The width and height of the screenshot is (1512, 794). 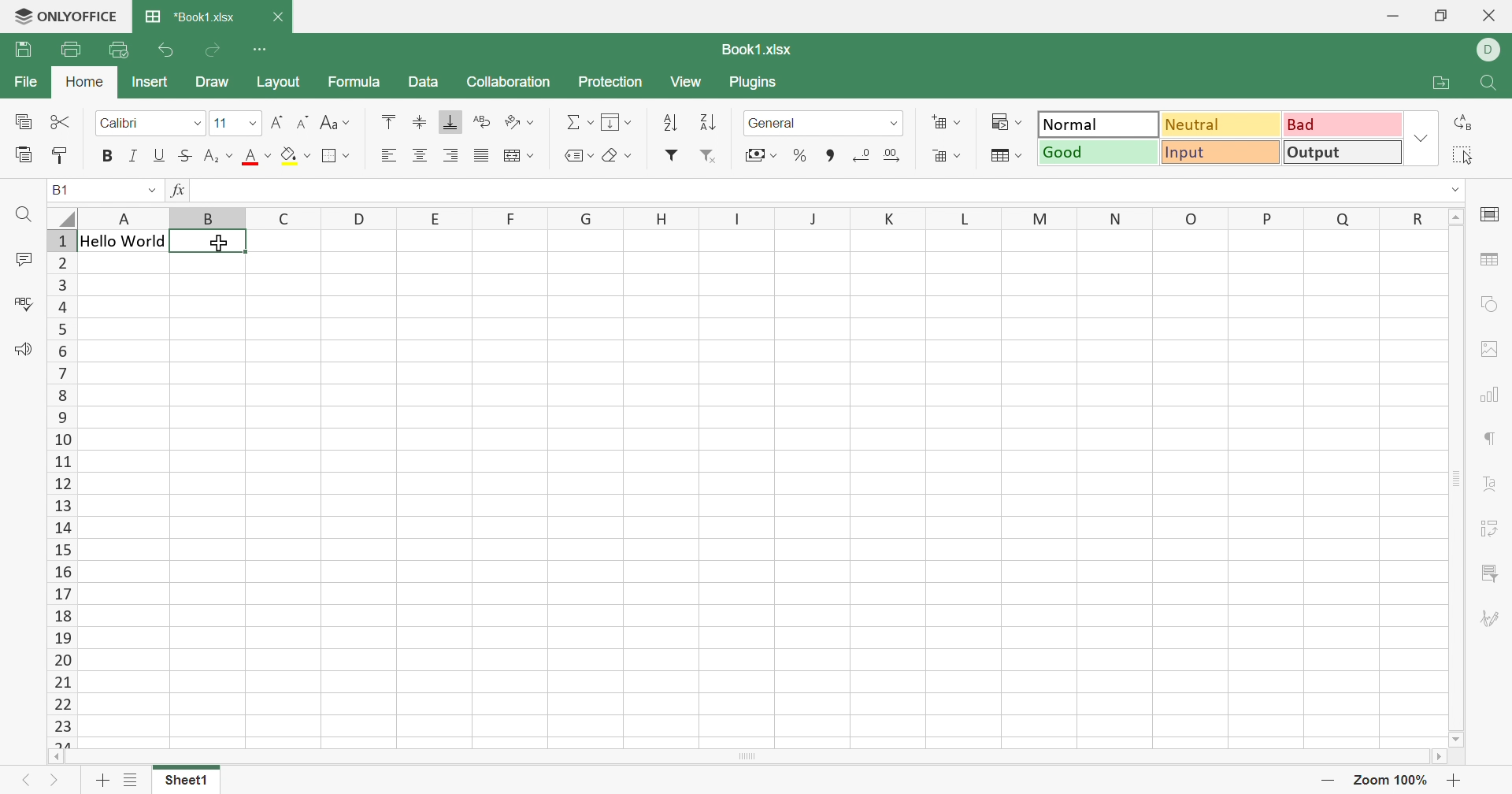 I want to click on Comma style, so click(x=829, y=158).